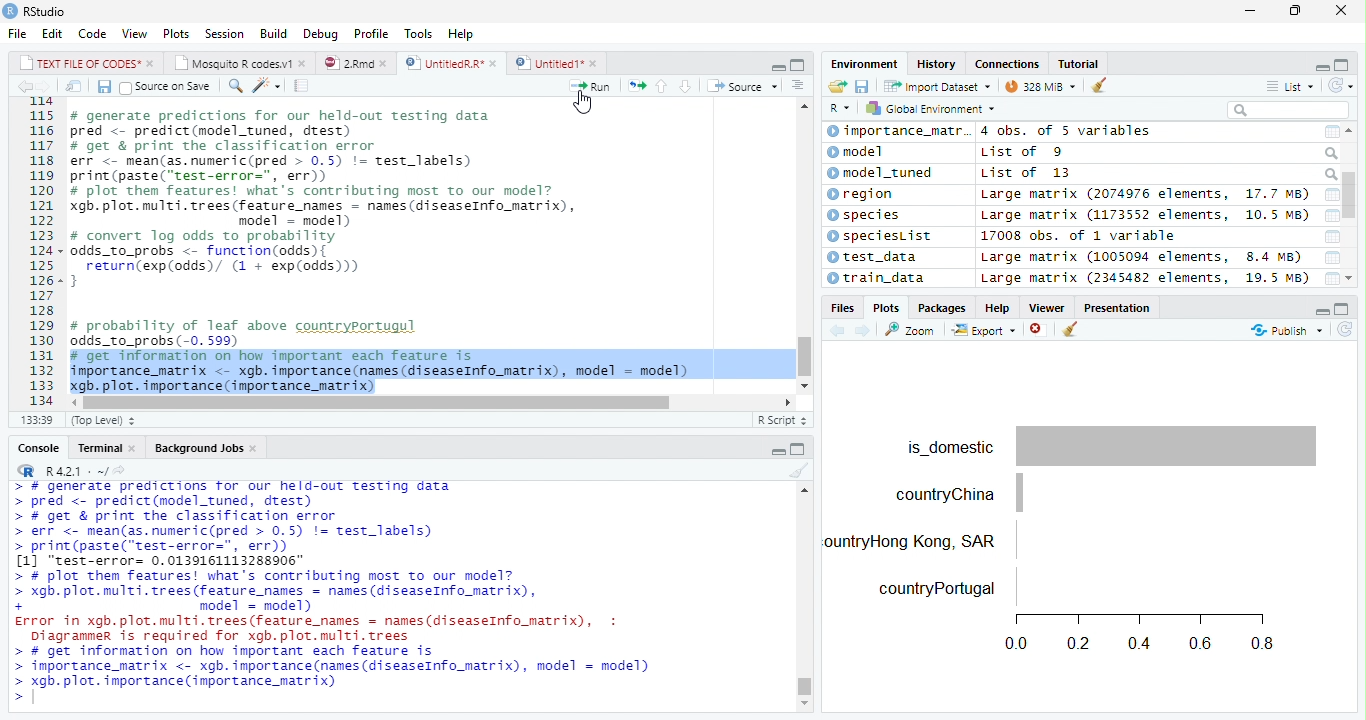  I want to click on Maximize, so click(801, 447).